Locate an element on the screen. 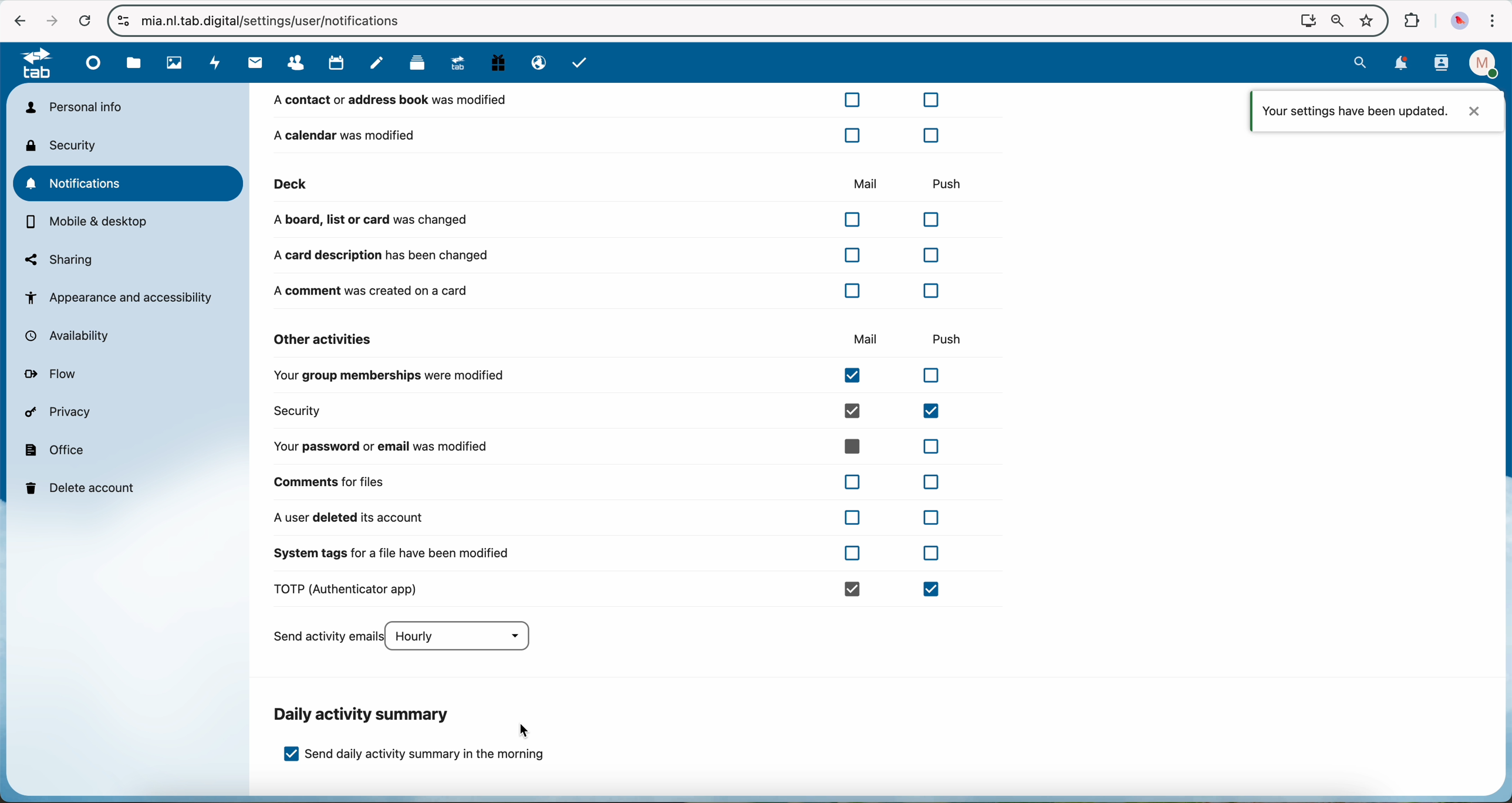  mail is located at coordinates (863, 182).